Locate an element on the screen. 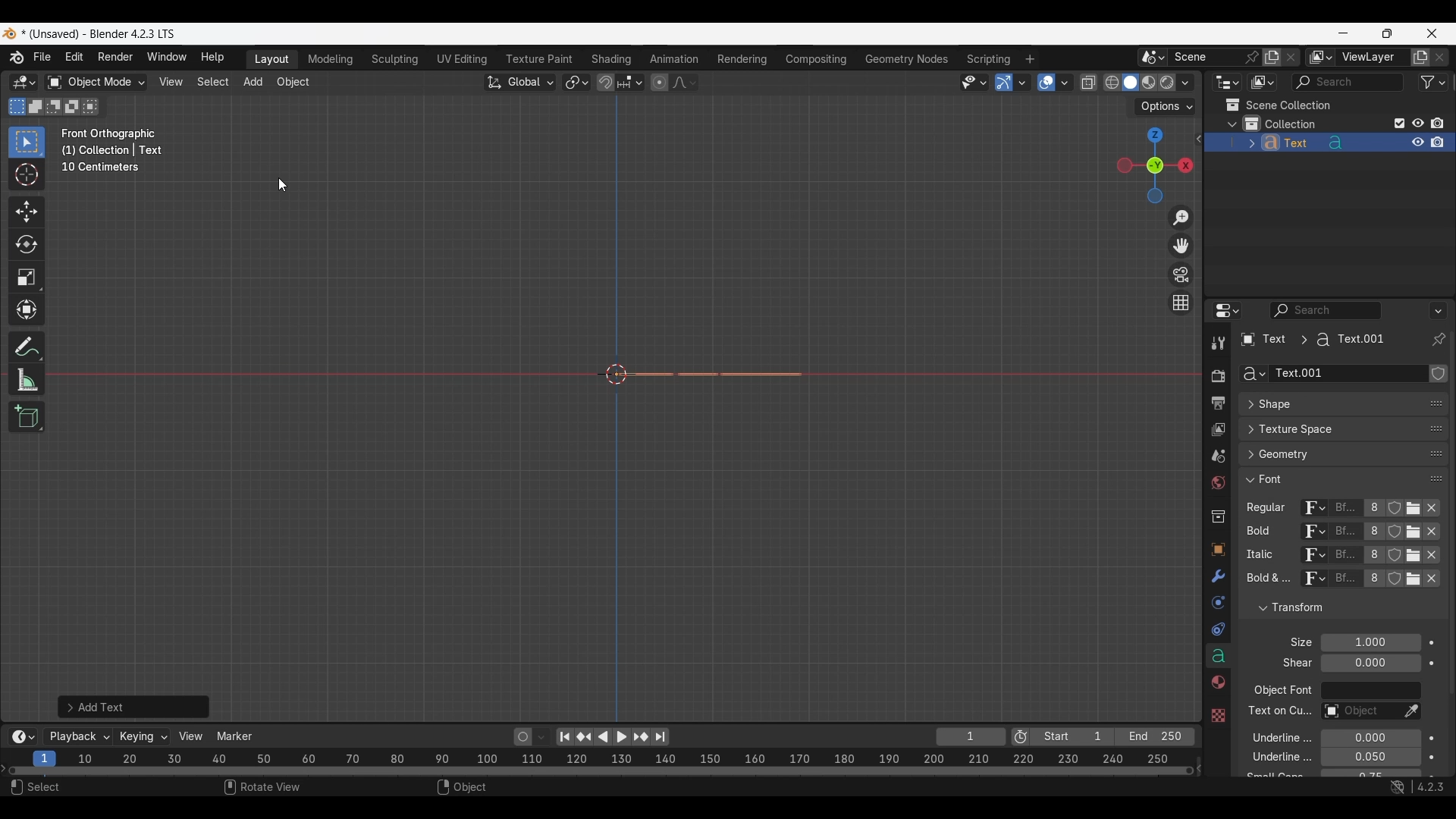  Transformation orientation, global is located at coordinates (520, 83).